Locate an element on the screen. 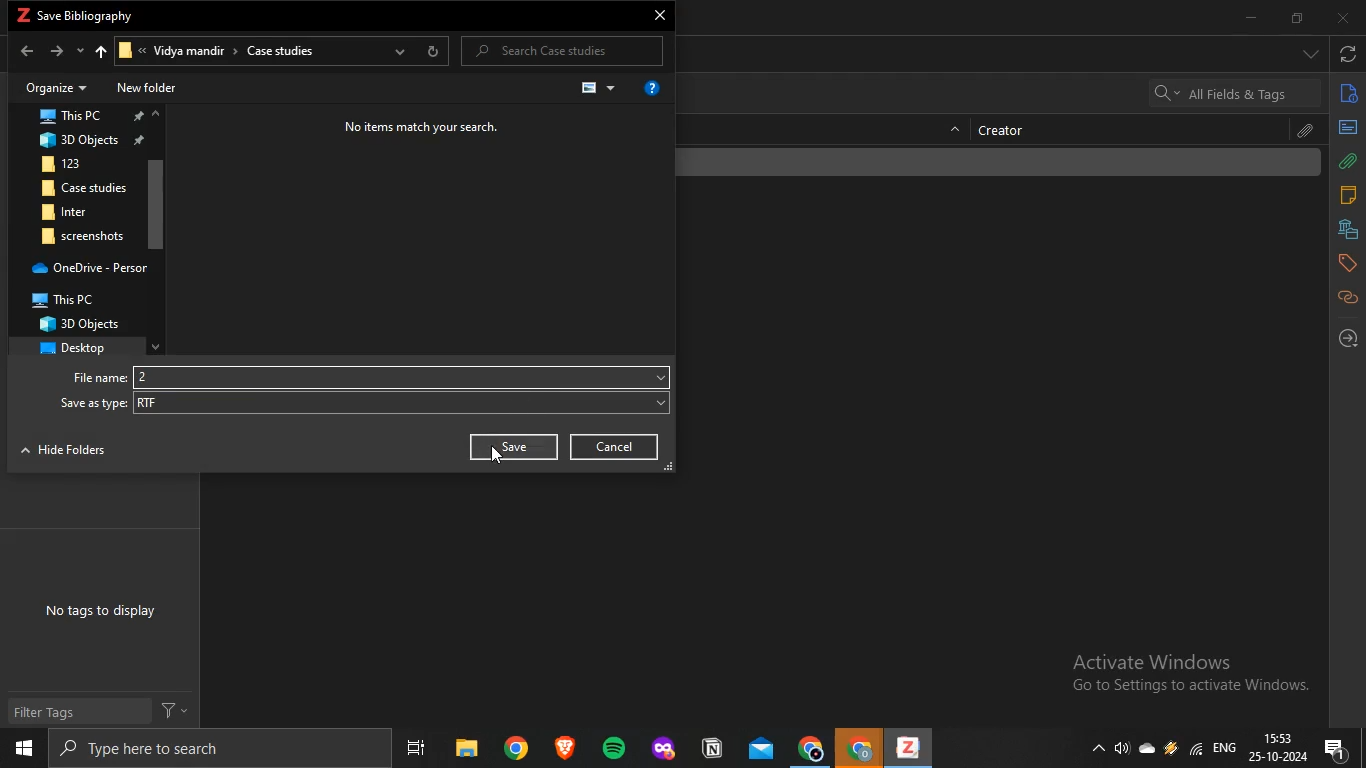 The height and width of the screenshot is (768, 1366). This PC is located at coordinates (100, 117).